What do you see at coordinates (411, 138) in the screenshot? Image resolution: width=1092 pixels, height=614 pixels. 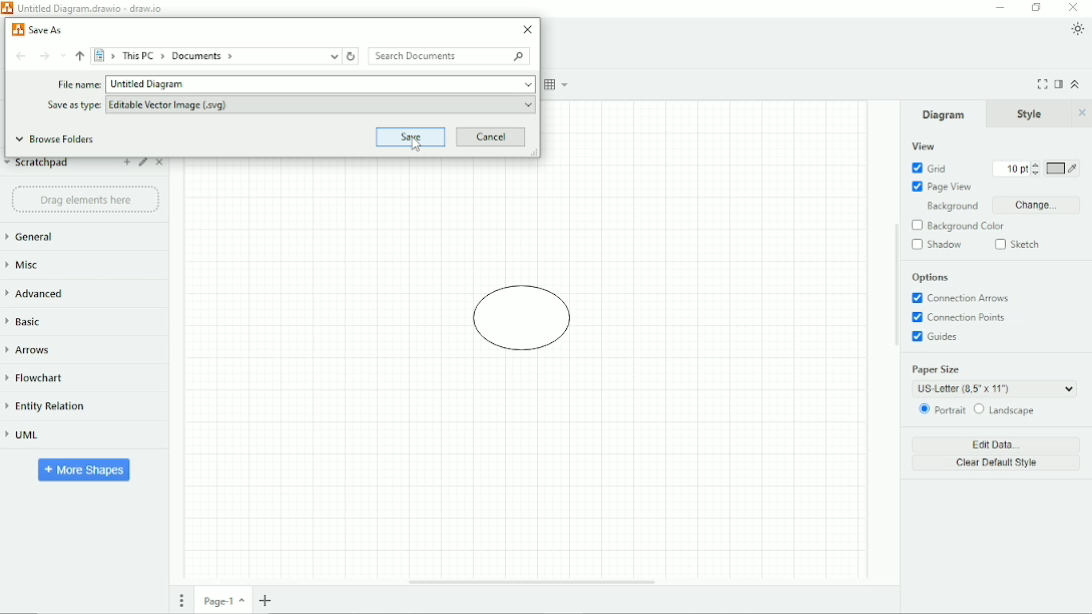 I see `Save` at bounding box center [411, 138].